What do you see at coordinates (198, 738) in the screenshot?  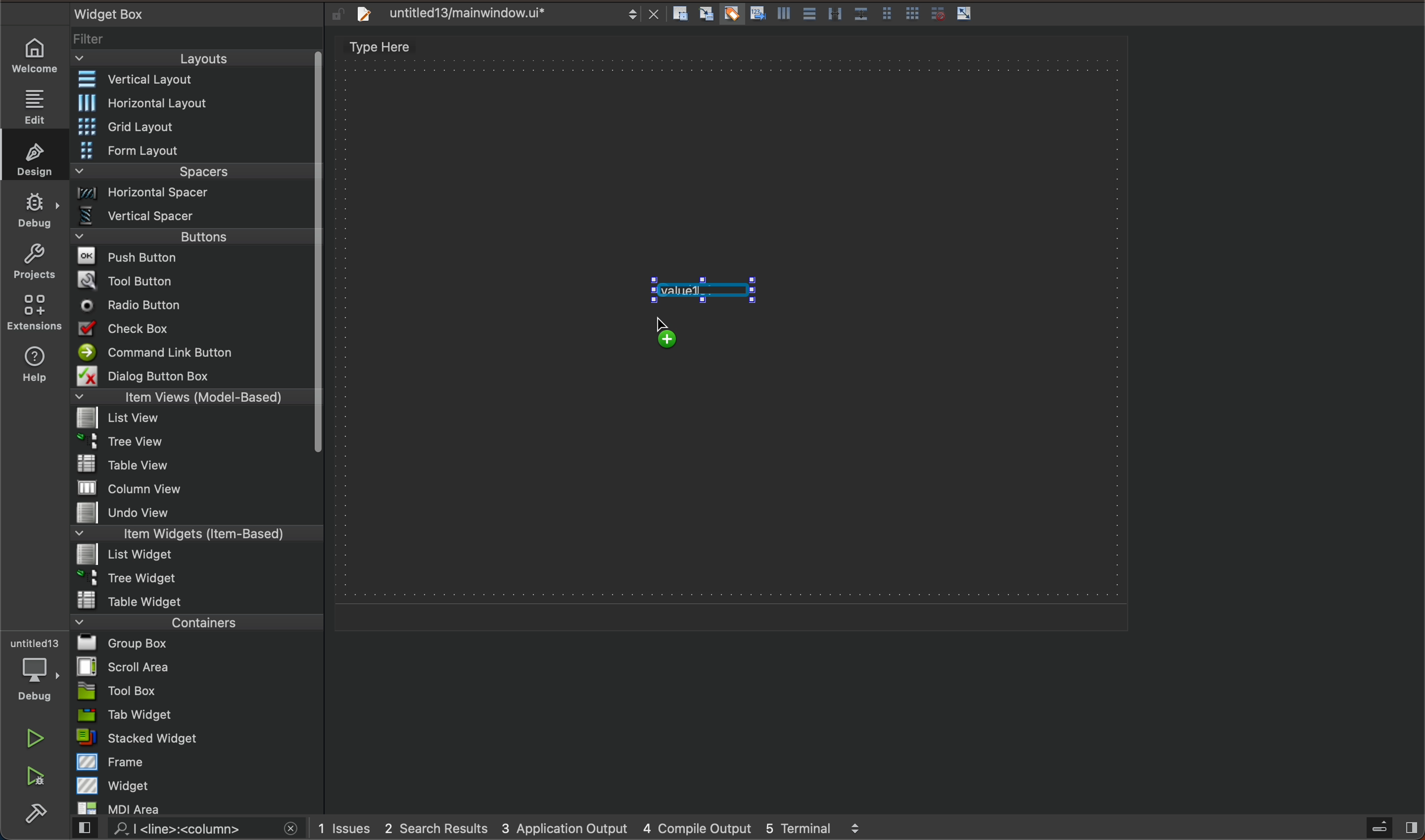 I see `stacked widget` at bounding box center [198, 738].